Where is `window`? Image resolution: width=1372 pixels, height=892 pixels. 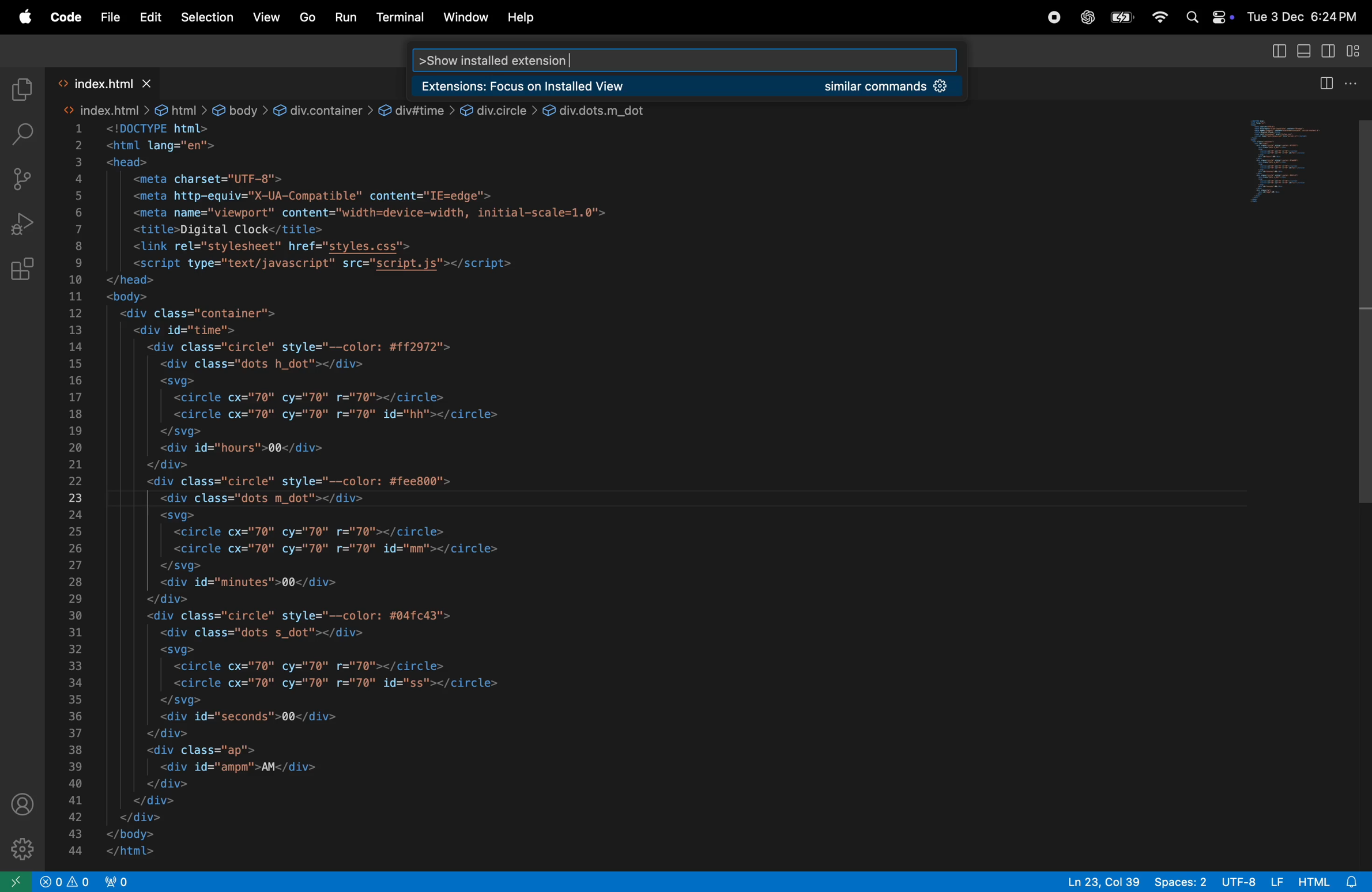 window is located at coordinates (465, 18).